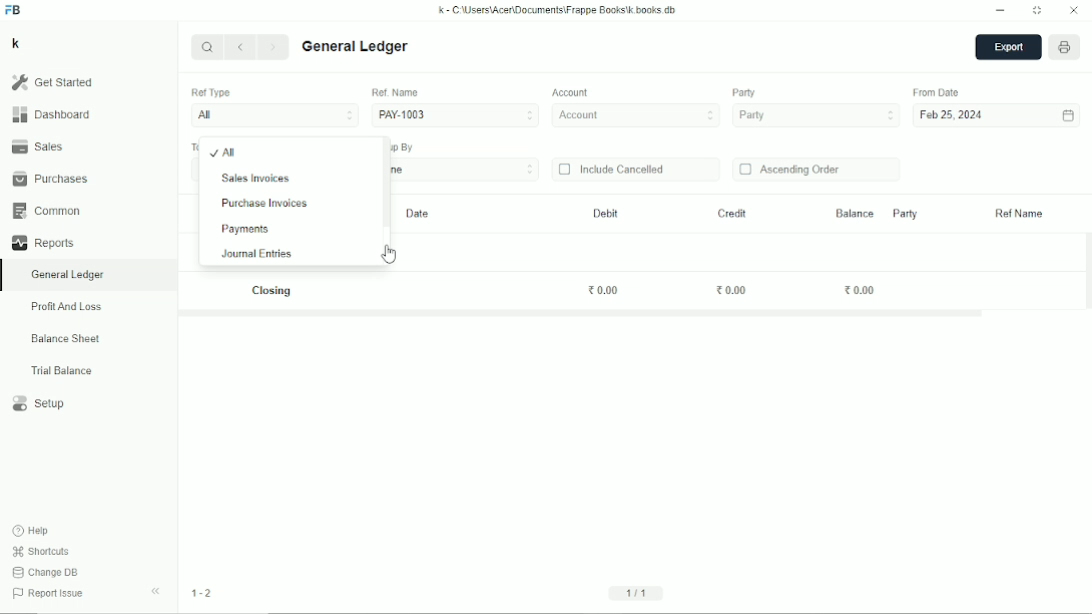 The width and height of the screenshot is (1092, 614). Describe the element at coordinates (275, 48) in the screenshot. I see `Next` at that location.